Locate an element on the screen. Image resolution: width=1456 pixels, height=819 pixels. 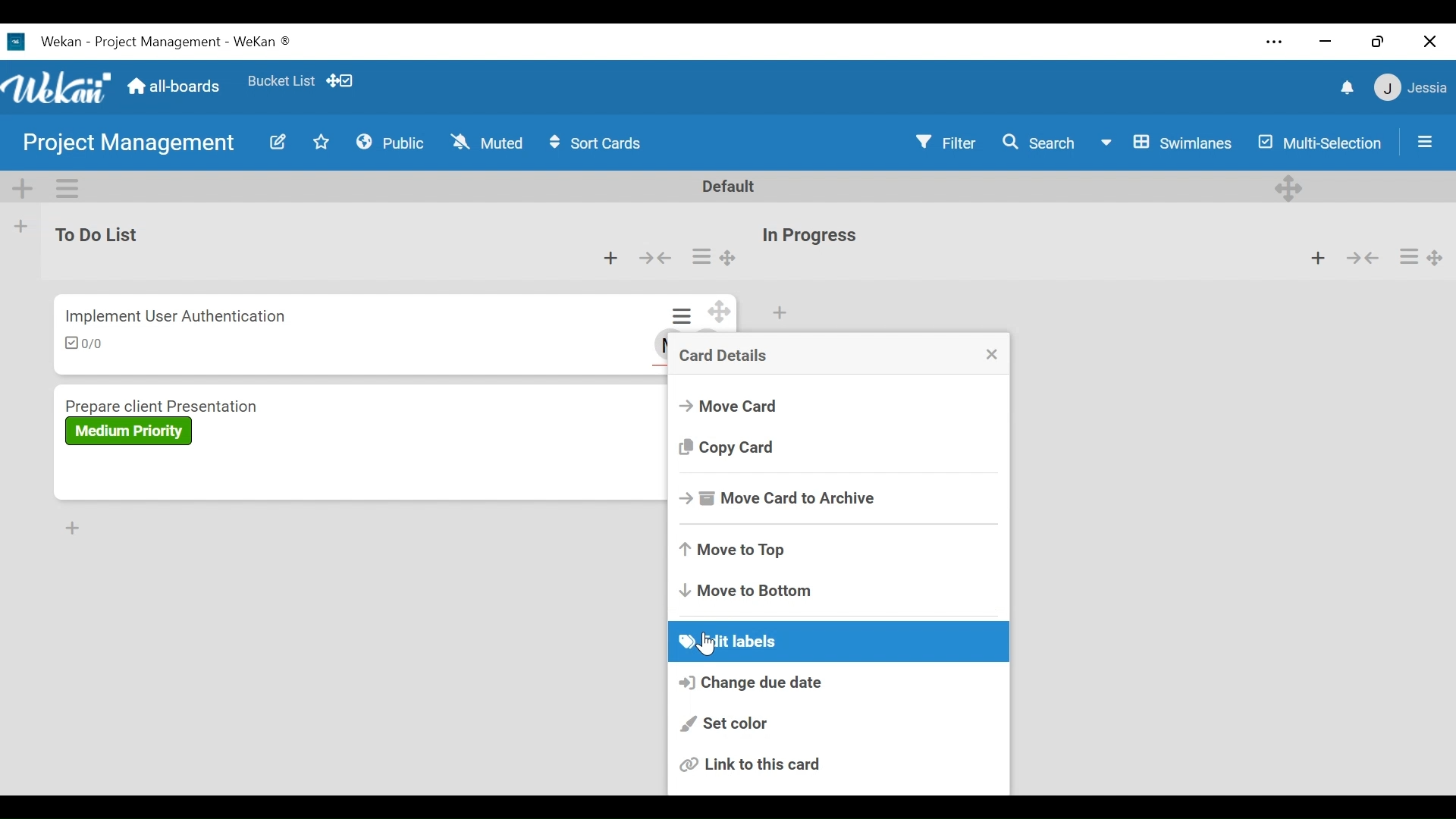
Add list is located at coordinates (21, 226).